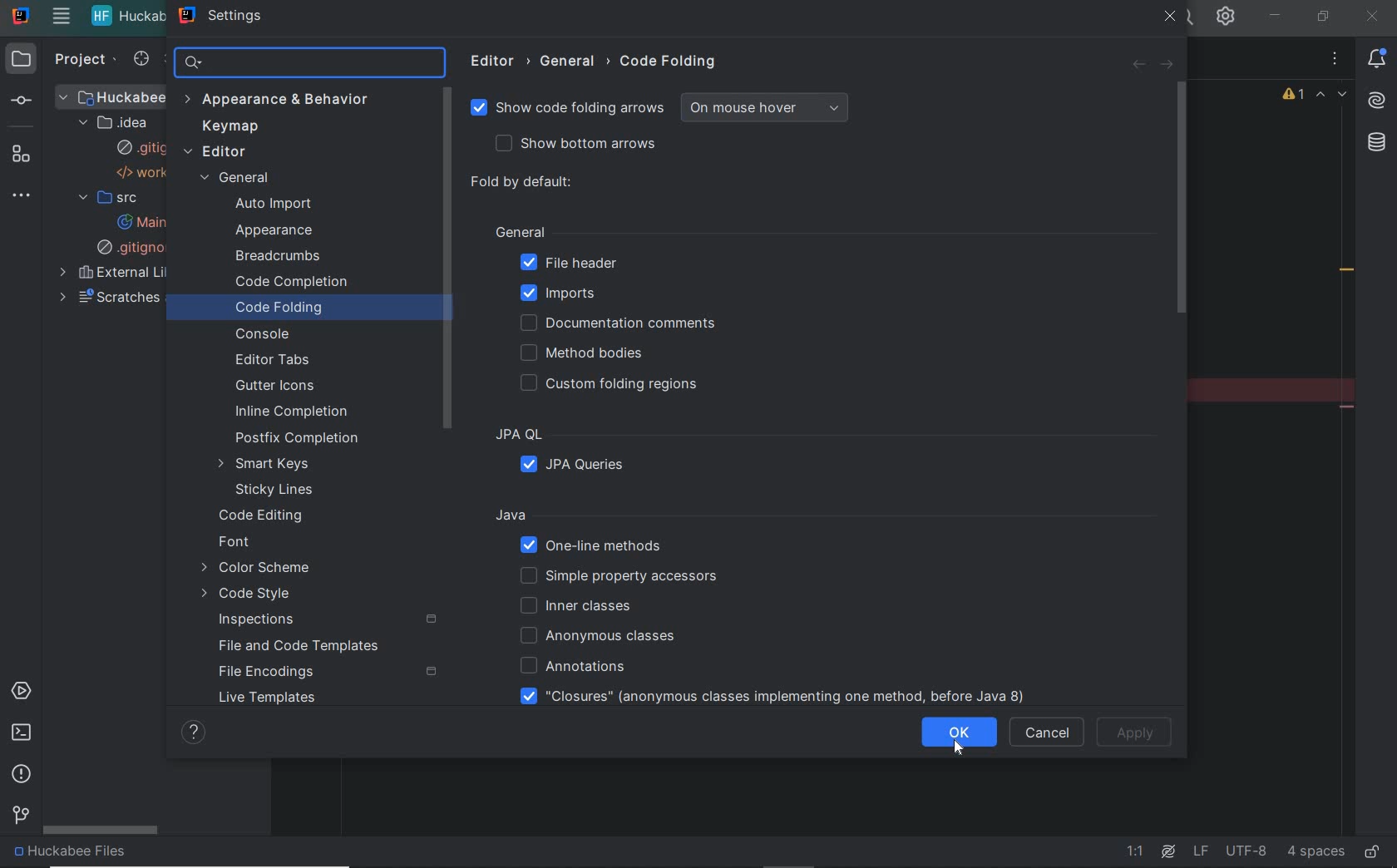 This screenshot has height=868, width=1397. Describe the element at coordinates (151, 220) in the screenshot. I see `main` at that location.